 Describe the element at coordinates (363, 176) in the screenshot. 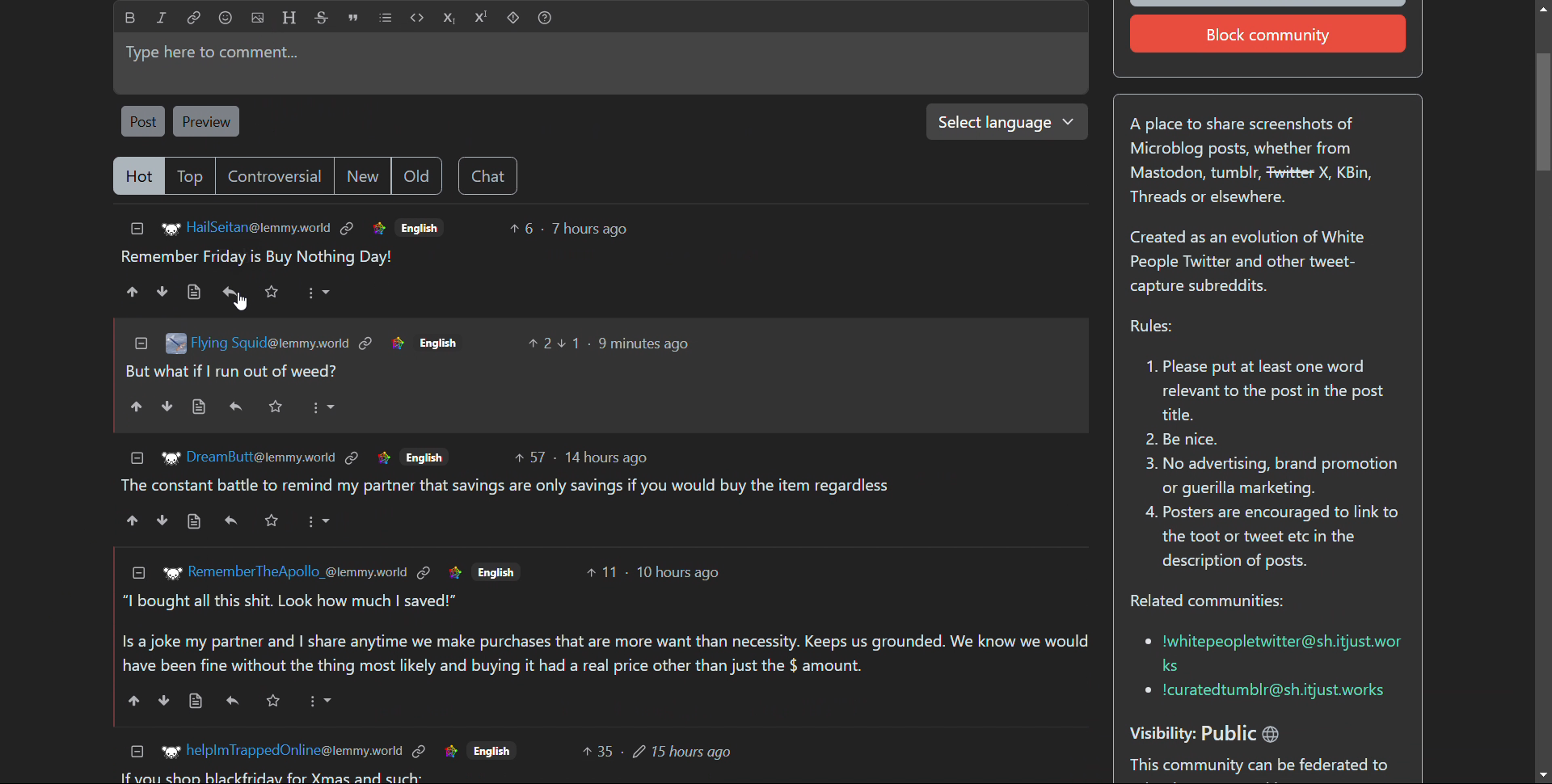

I see `new` at that location.